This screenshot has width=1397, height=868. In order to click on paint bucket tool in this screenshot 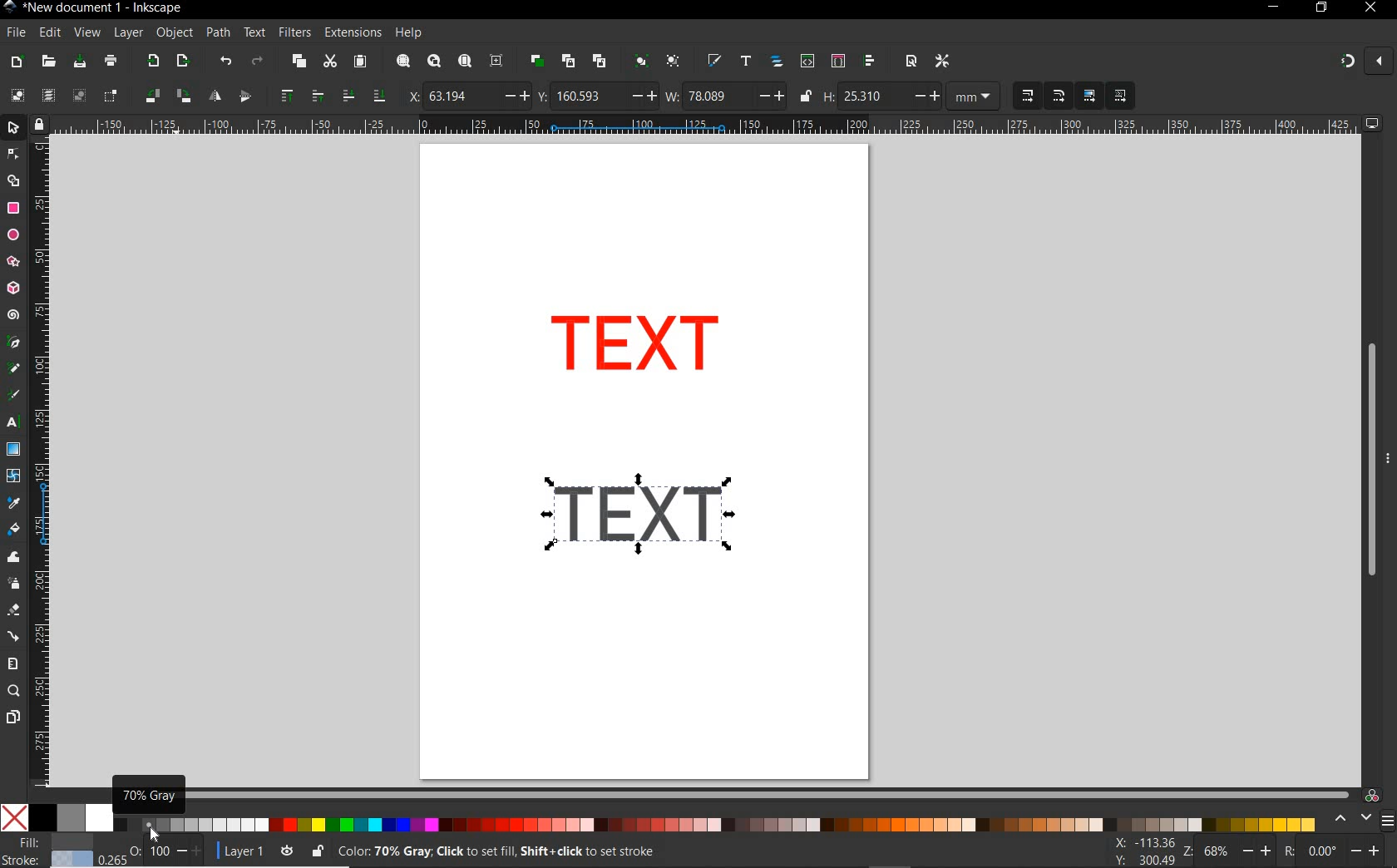, I will do `click(14, 530)`.